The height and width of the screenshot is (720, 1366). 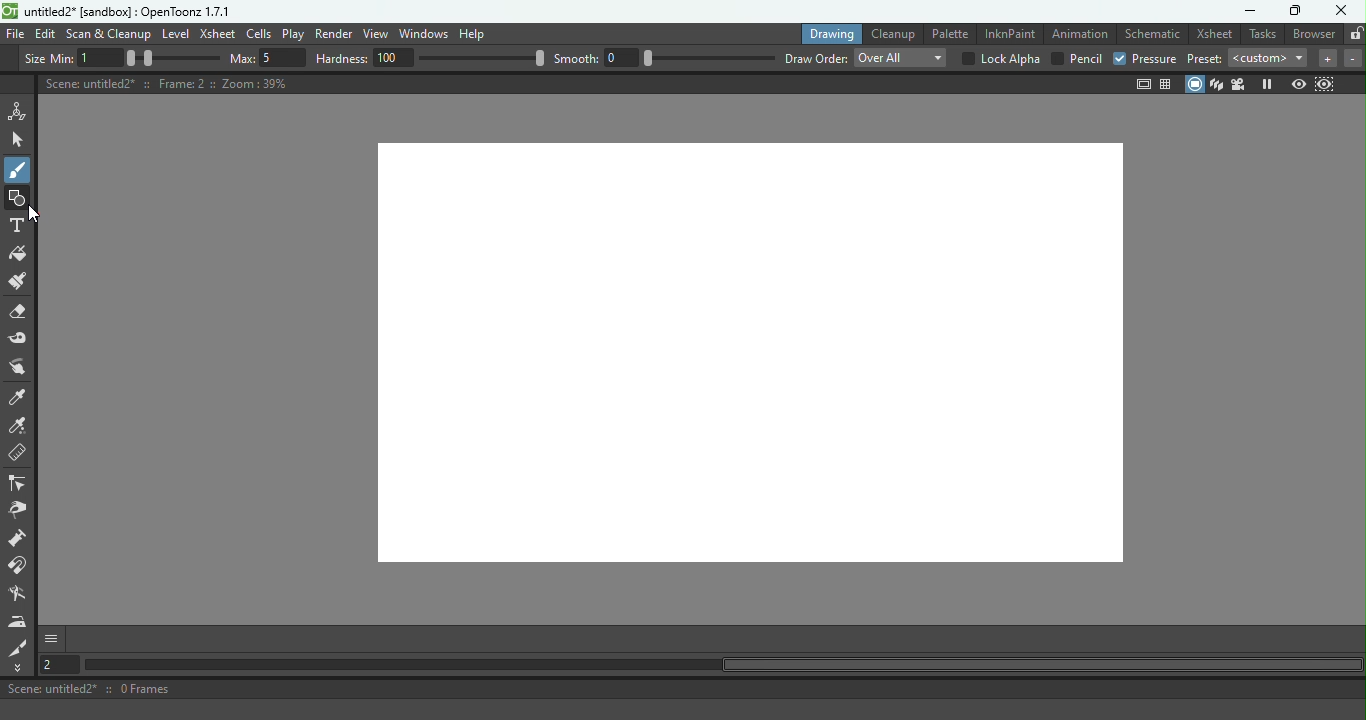 I want to click on Eraser tool, so click(x=21, y=315).